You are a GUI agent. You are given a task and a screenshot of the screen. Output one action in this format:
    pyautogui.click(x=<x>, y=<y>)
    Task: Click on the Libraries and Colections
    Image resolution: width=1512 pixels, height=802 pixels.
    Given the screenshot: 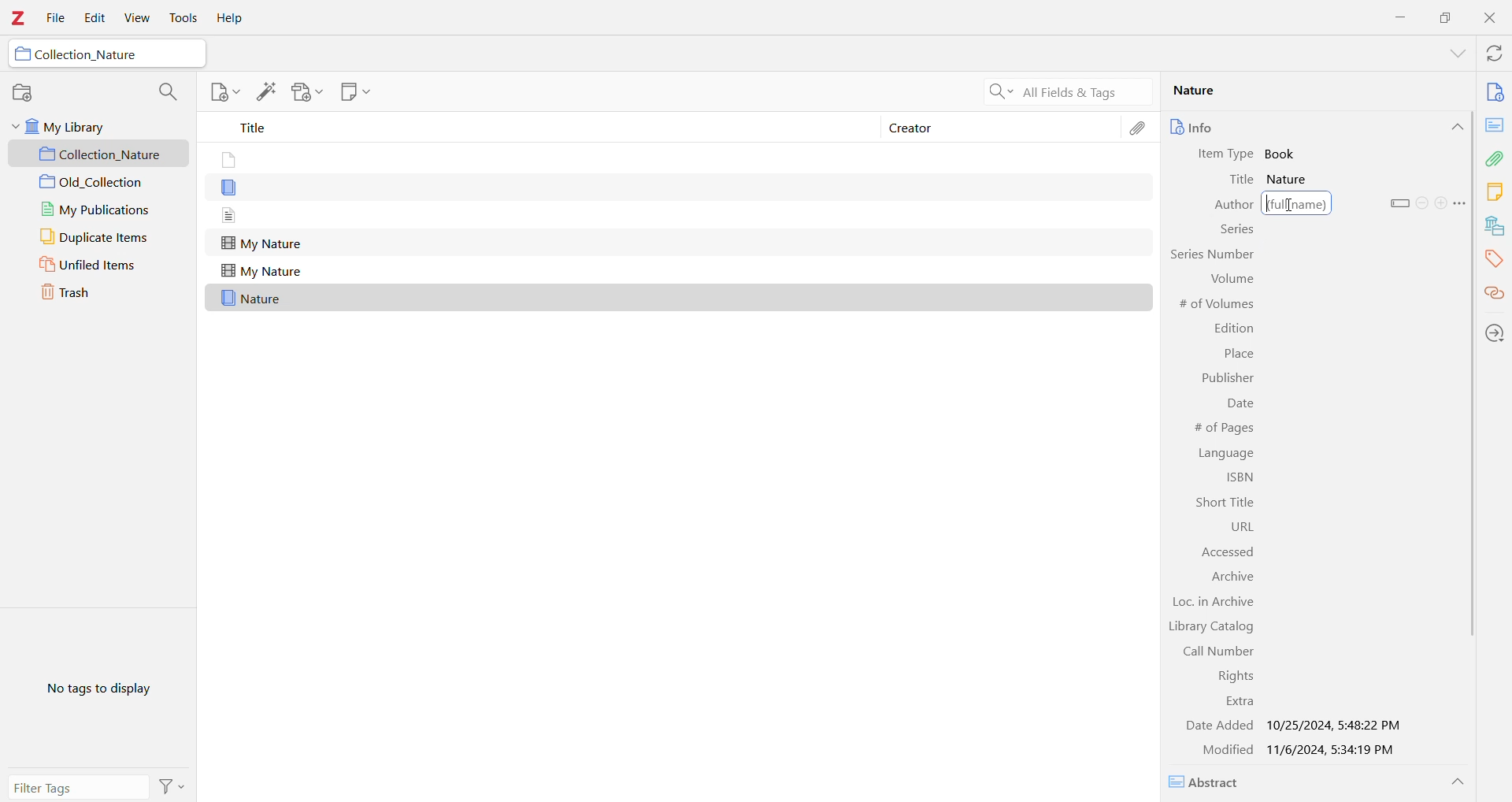 What is the action you would take?
    pyautogui.click(x=1495, y=228)
    